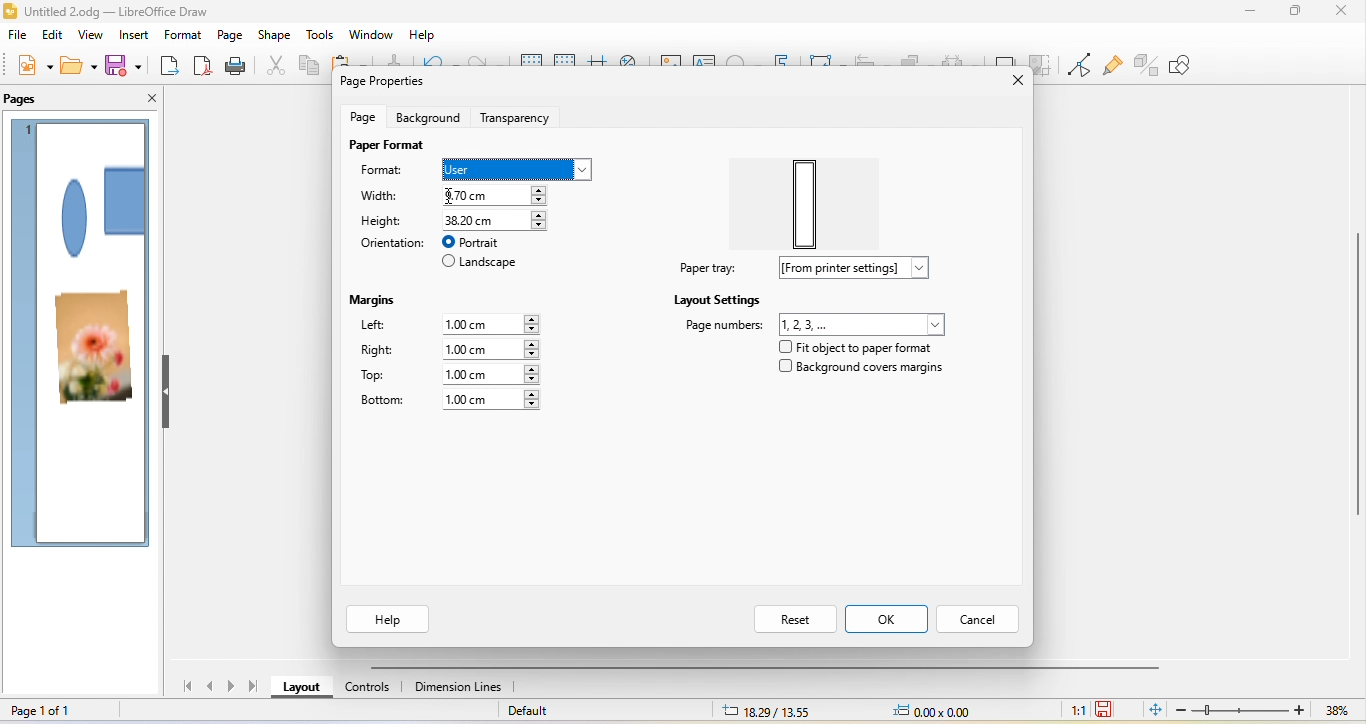 This screenshot has width=1366, height=724. What do you see at coordinates (390, 618) in the screenshot?
I see `help` at bounding box center [390, 618].